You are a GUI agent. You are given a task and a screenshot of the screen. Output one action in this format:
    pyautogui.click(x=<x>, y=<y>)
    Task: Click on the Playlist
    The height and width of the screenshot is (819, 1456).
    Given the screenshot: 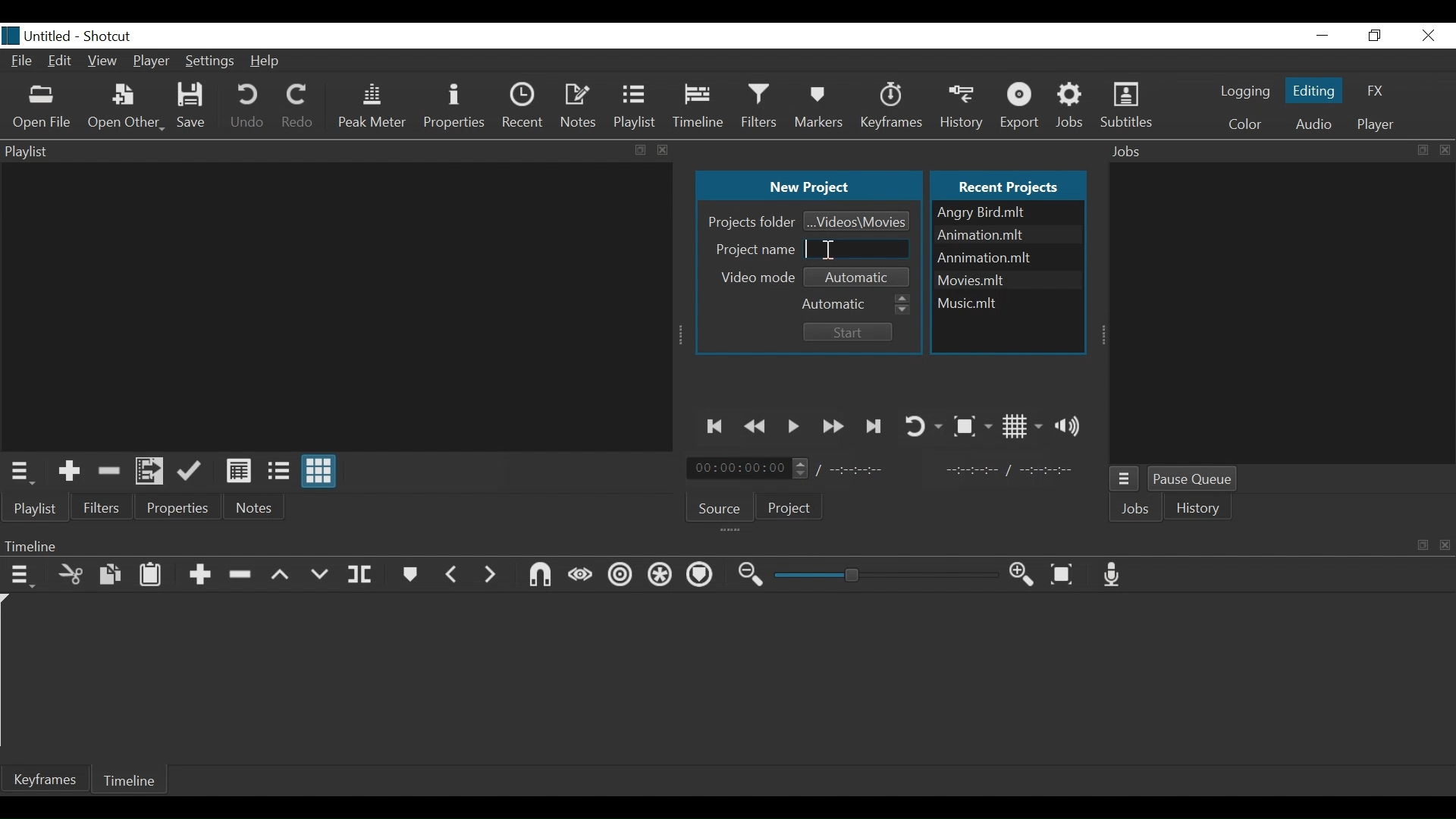 What is the action you would take?
    pyautogui.click(x=636, y=106)
    